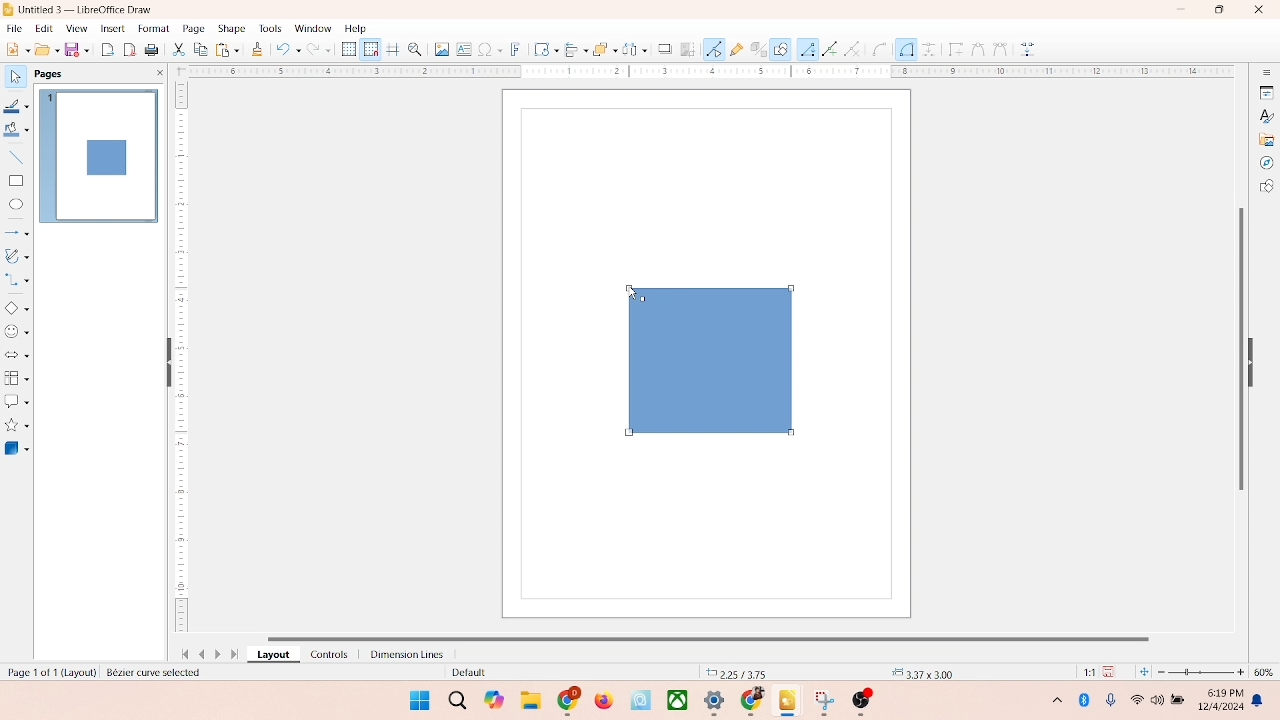  Describe the element at coordinates (1160, 700) in the screenshot. I see `speaker` at that location.